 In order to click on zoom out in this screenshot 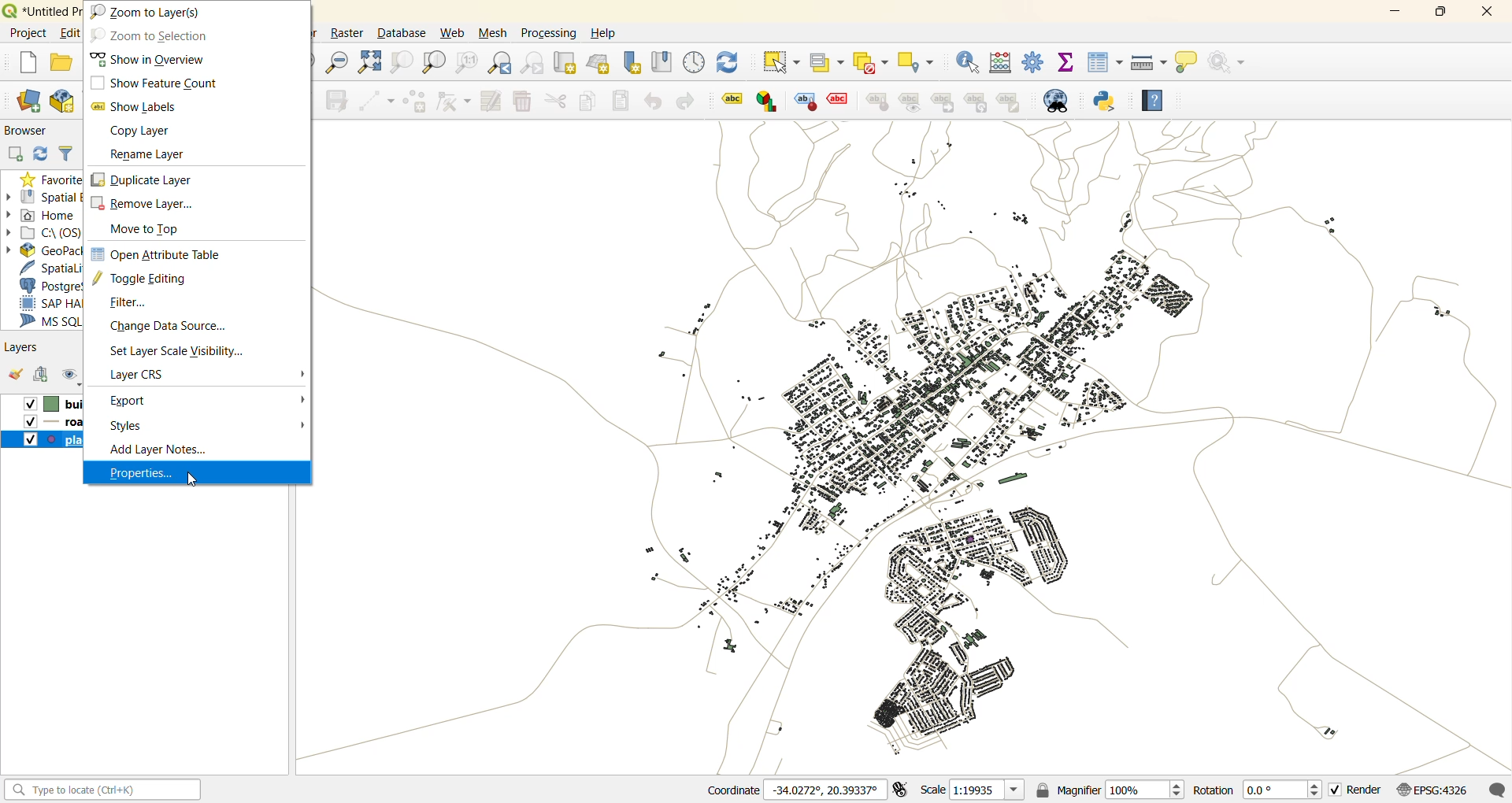, I will do `click(335, 61)`.